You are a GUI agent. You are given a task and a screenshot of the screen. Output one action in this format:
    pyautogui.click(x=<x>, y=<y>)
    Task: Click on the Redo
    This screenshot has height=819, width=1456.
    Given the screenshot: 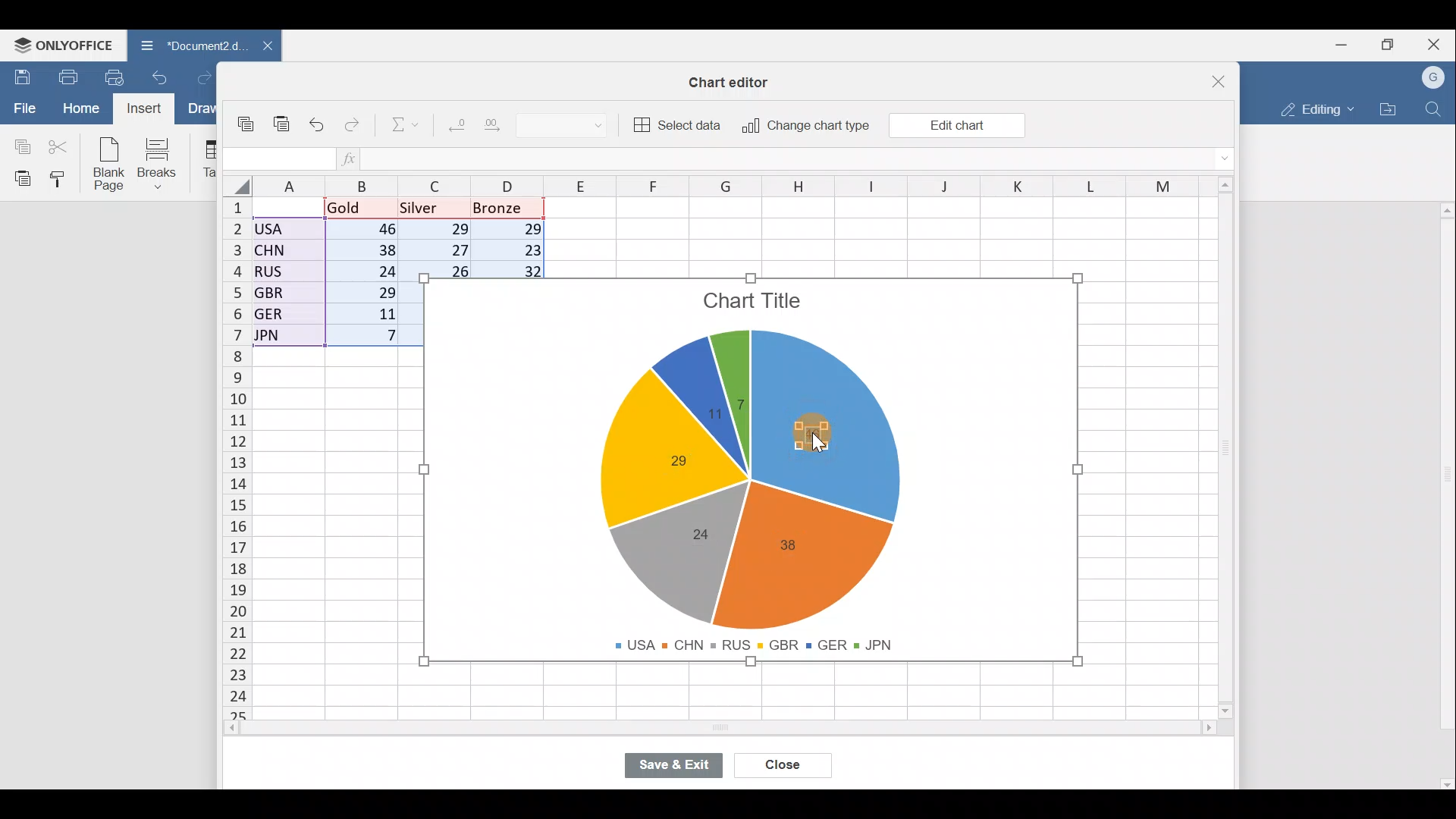 What is the action you would take?
    pyautogui.click(x=353, y=128)
    